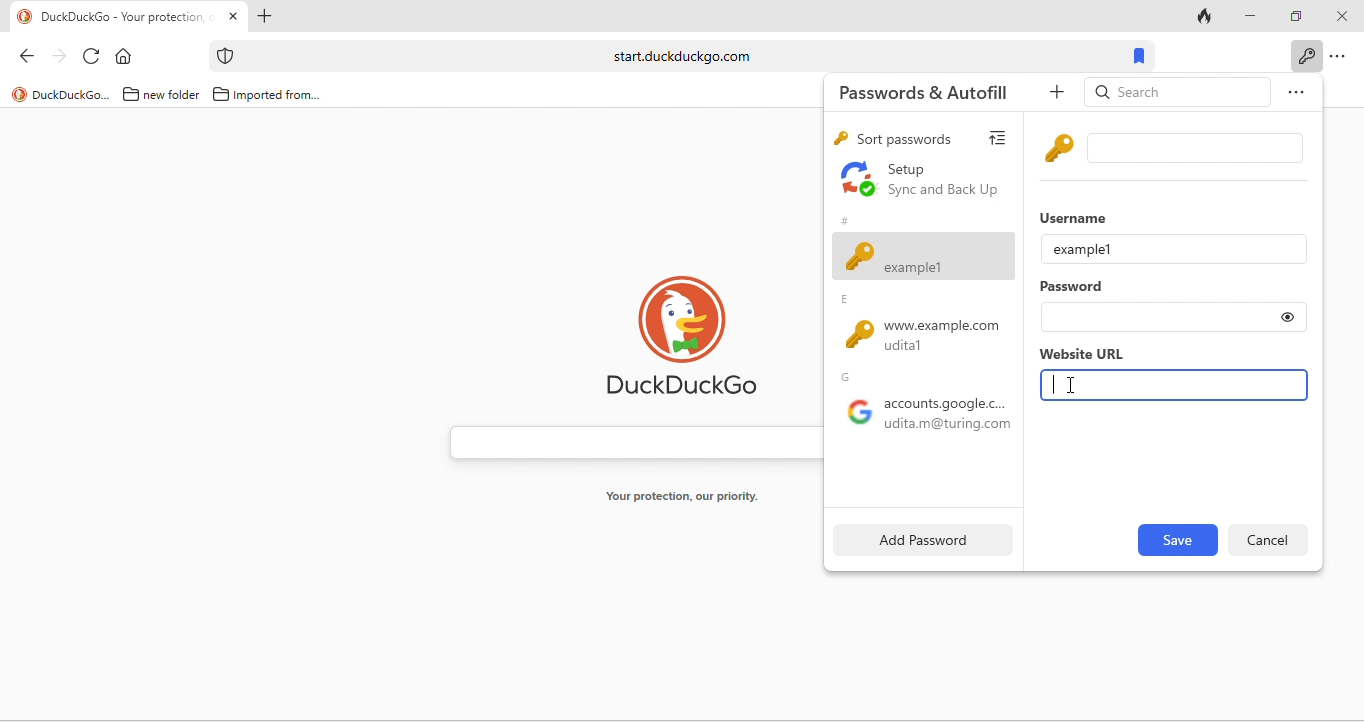 The width and height of the screenshot is (1364, 722). Describe the element at coordinates (930, 337) in the screenshot. I see `www.example.com` at that location.